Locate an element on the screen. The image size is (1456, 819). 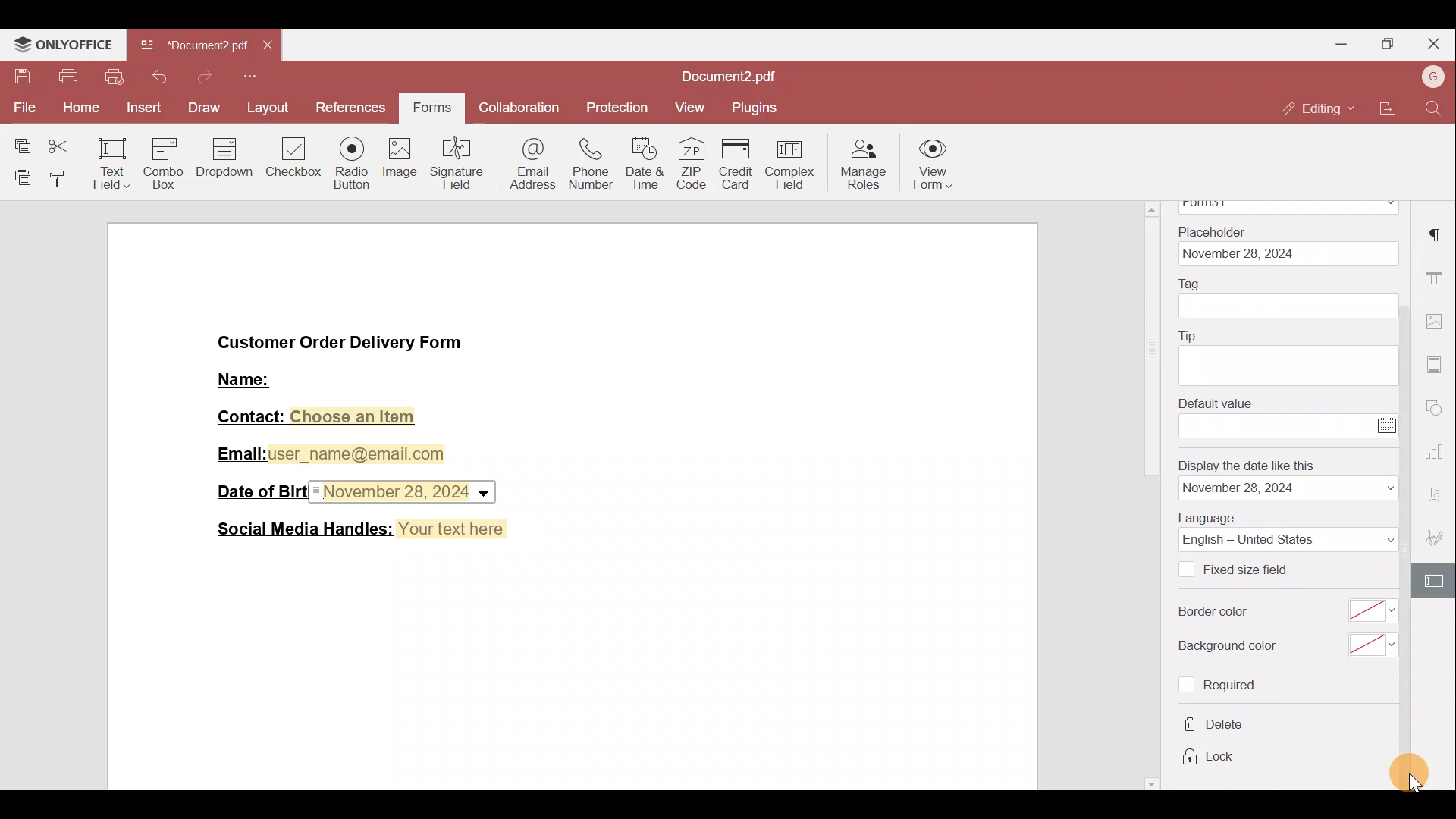
Default value is located at coordinates (1217, 403).